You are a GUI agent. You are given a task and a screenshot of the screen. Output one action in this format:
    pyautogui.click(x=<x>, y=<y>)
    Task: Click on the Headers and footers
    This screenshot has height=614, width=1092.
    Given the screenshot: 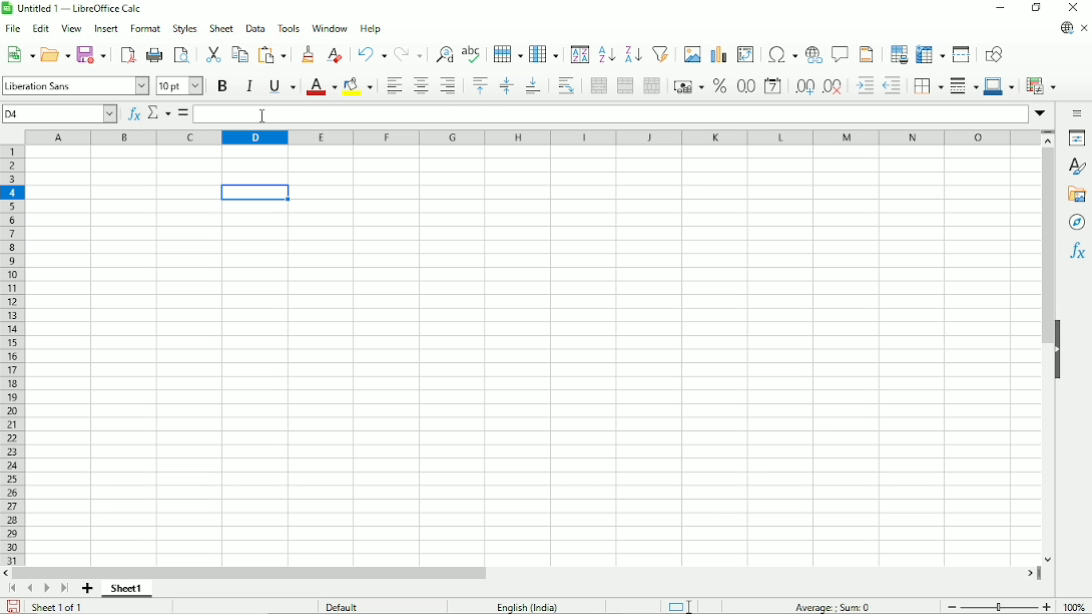 What is the action you would take?
    pyautogui.click(x=867, y=54)
    